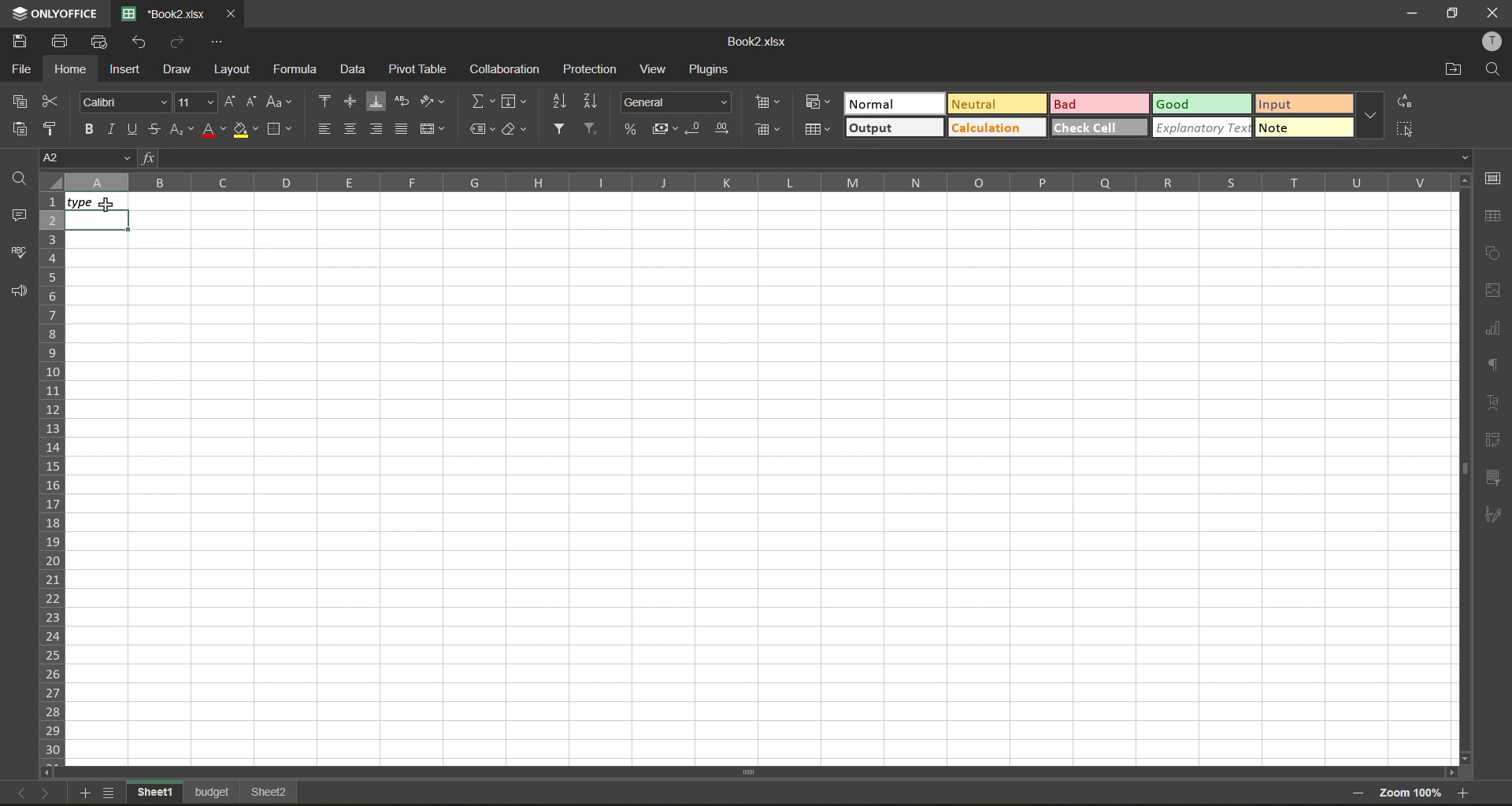 The height and width of the screenshot is (806, 1512). Describe the element at coordinates (1406, 12) in the screenshot. I see `minimize` at that location.